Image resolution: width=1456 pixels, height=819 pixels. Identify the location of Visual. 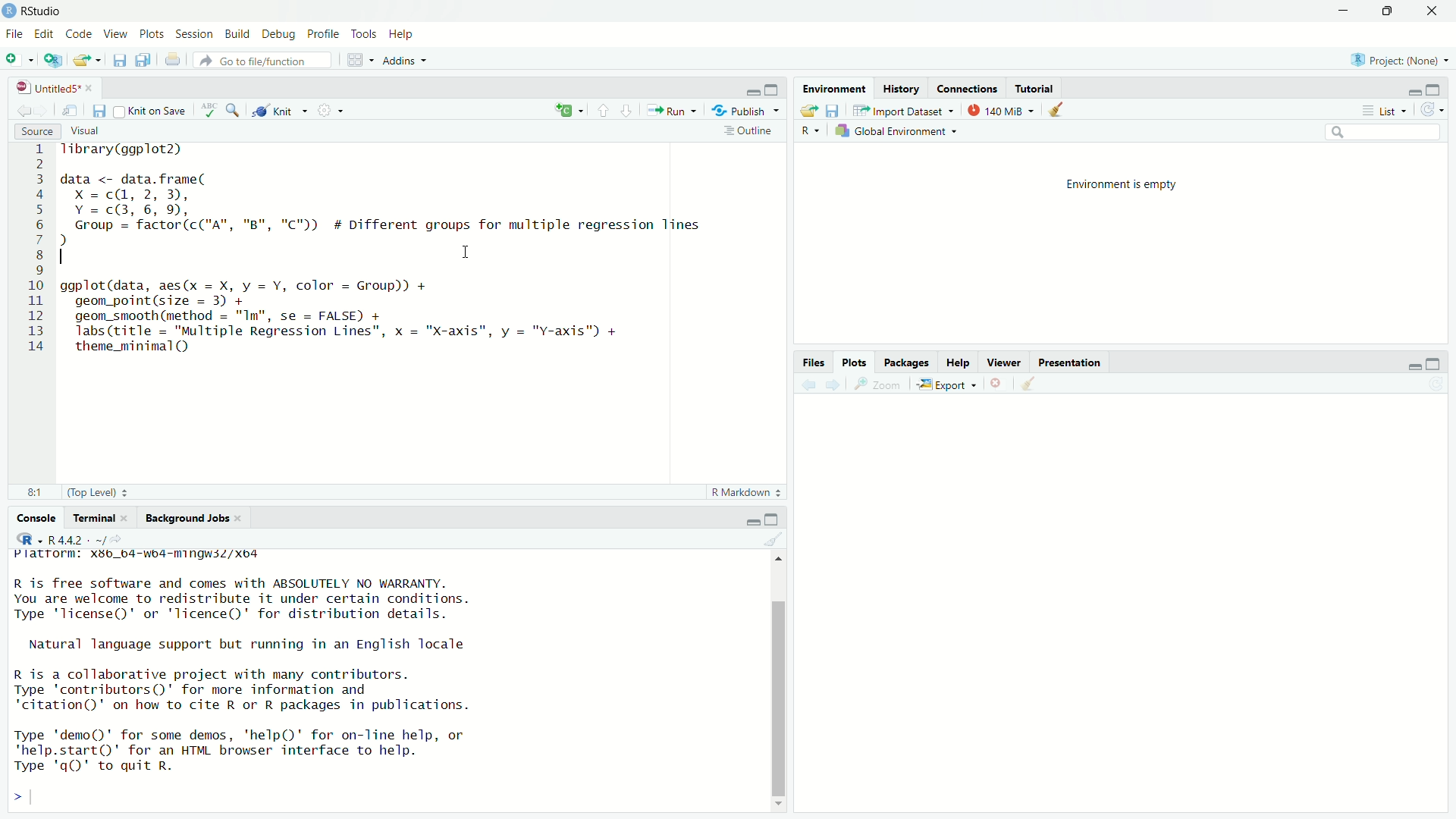
(95, 129).